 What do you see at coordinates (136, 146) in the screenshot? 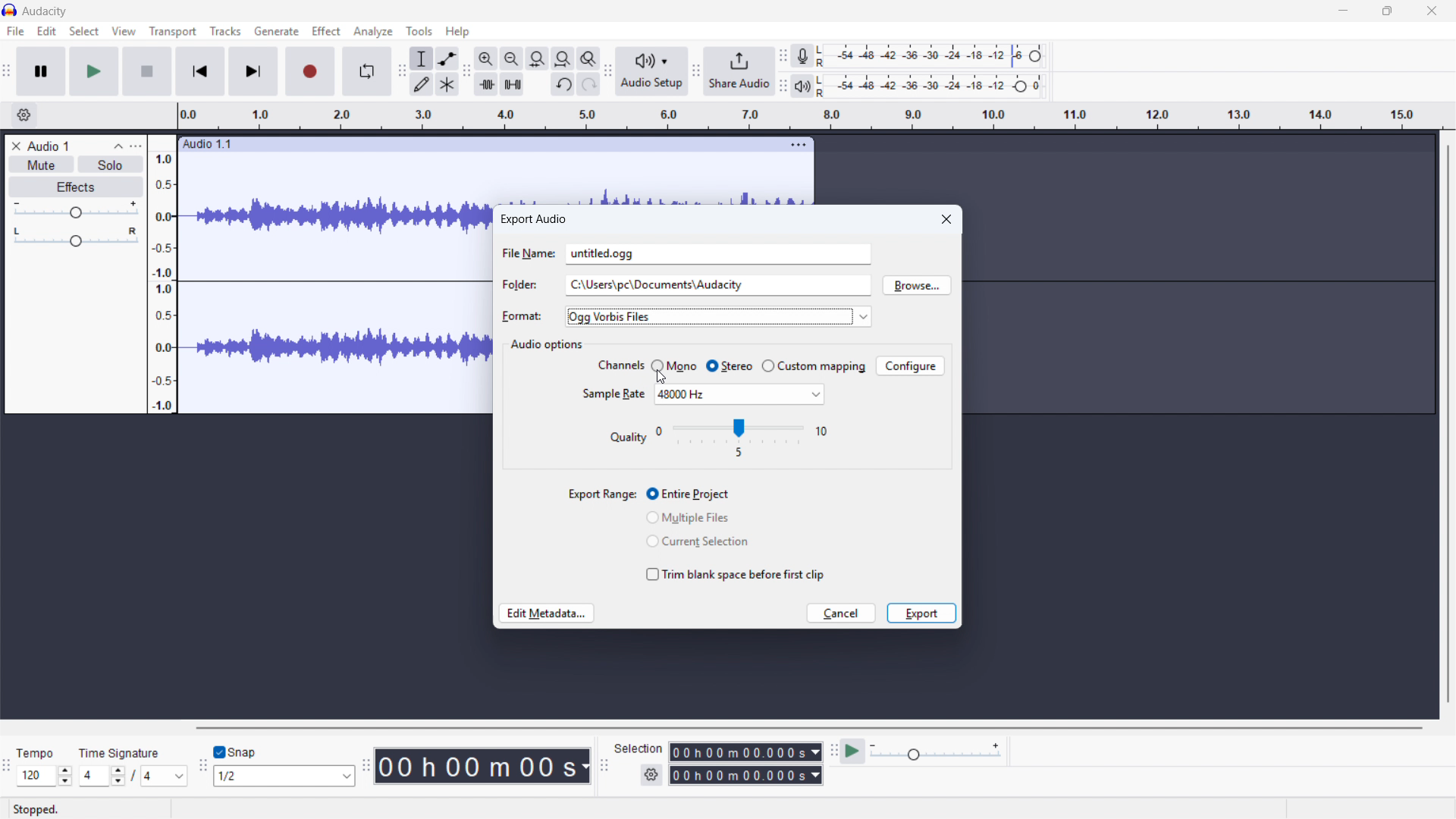
I see `Track control panel menu ` at bounding box center [136, 146].